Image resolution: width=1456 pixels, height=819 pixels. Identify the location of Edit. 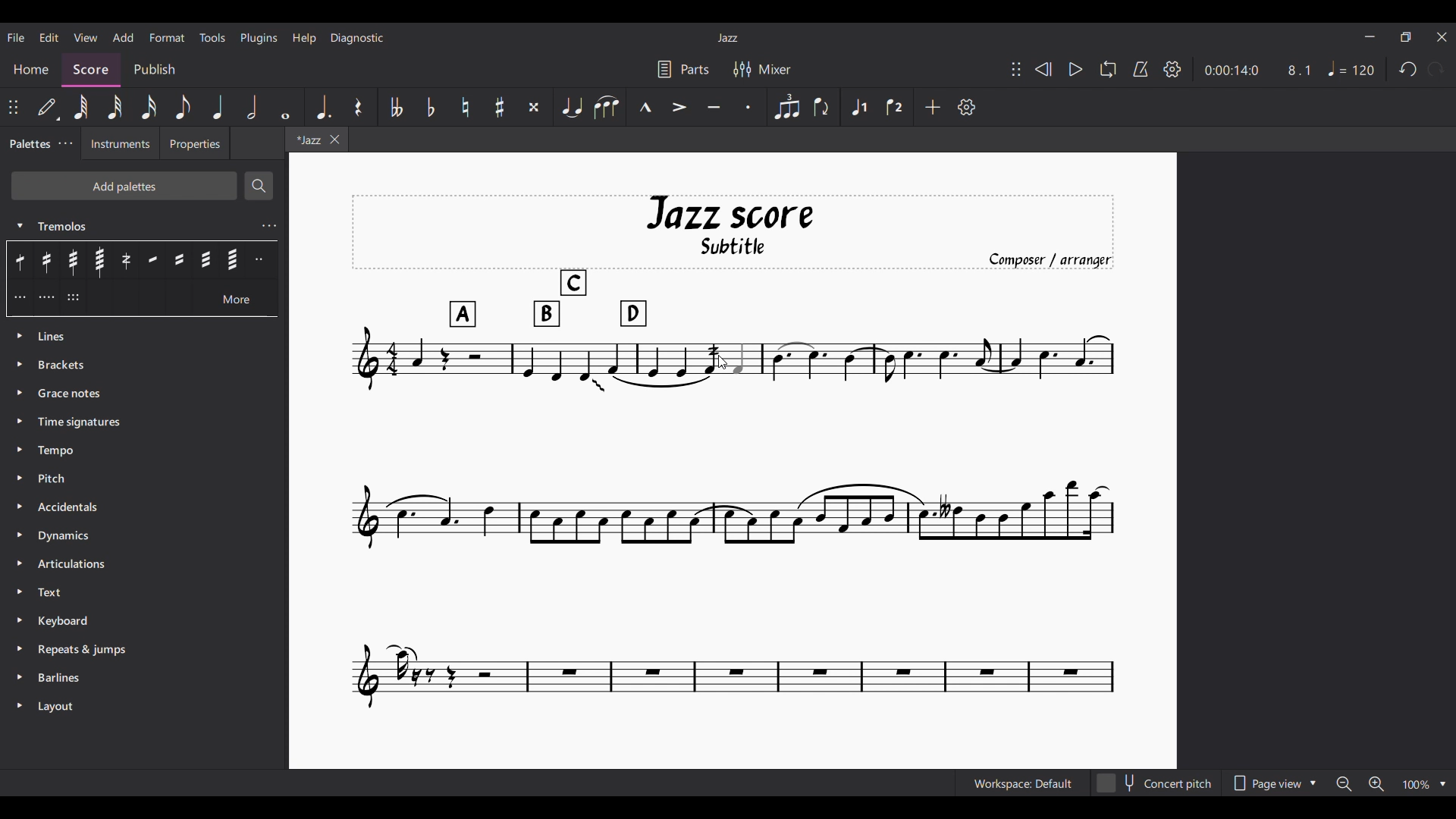
(49, 37).